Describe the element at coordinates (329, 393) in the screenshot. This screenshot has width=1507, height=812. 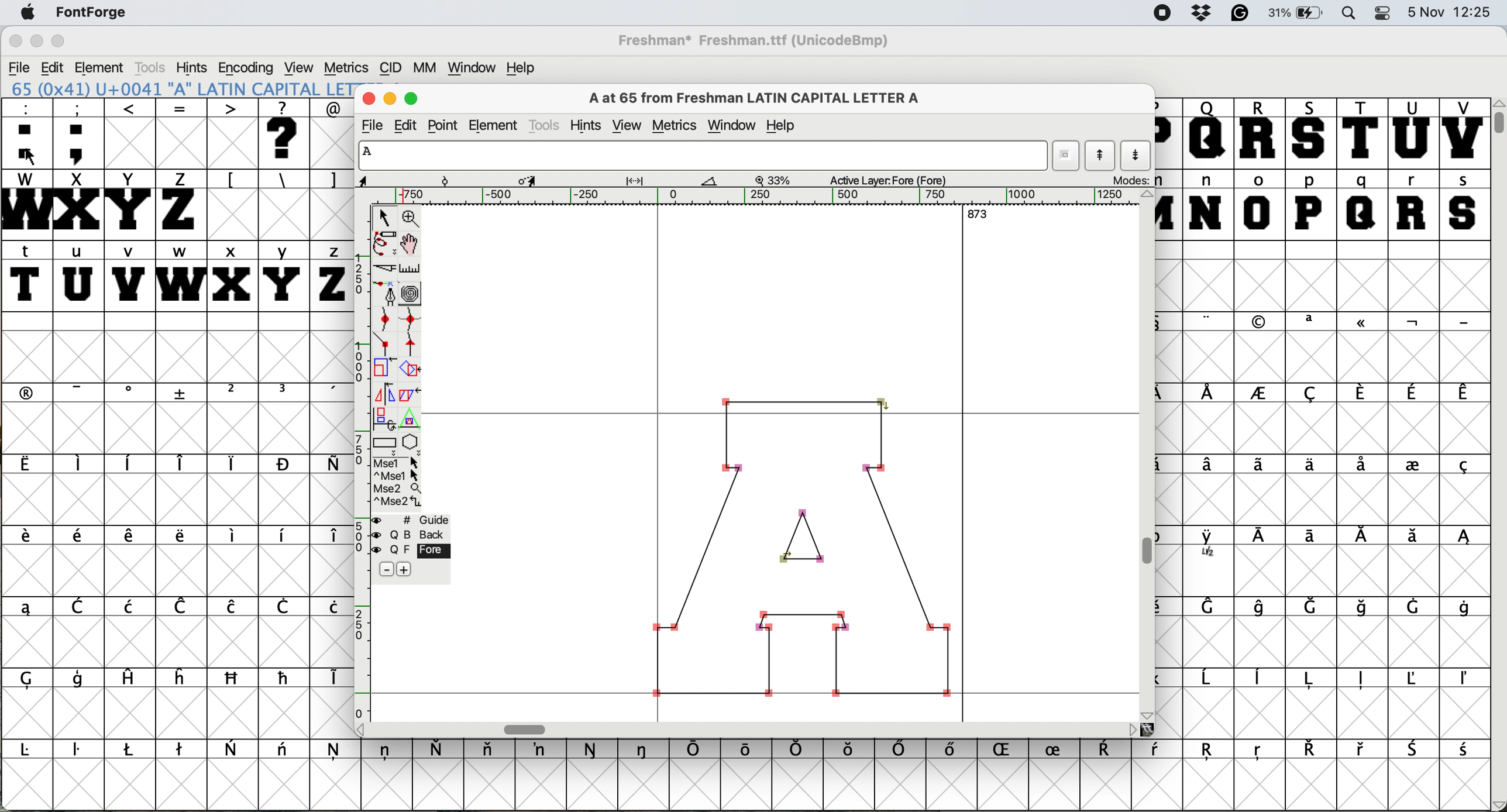
I see `symbol` at that location.